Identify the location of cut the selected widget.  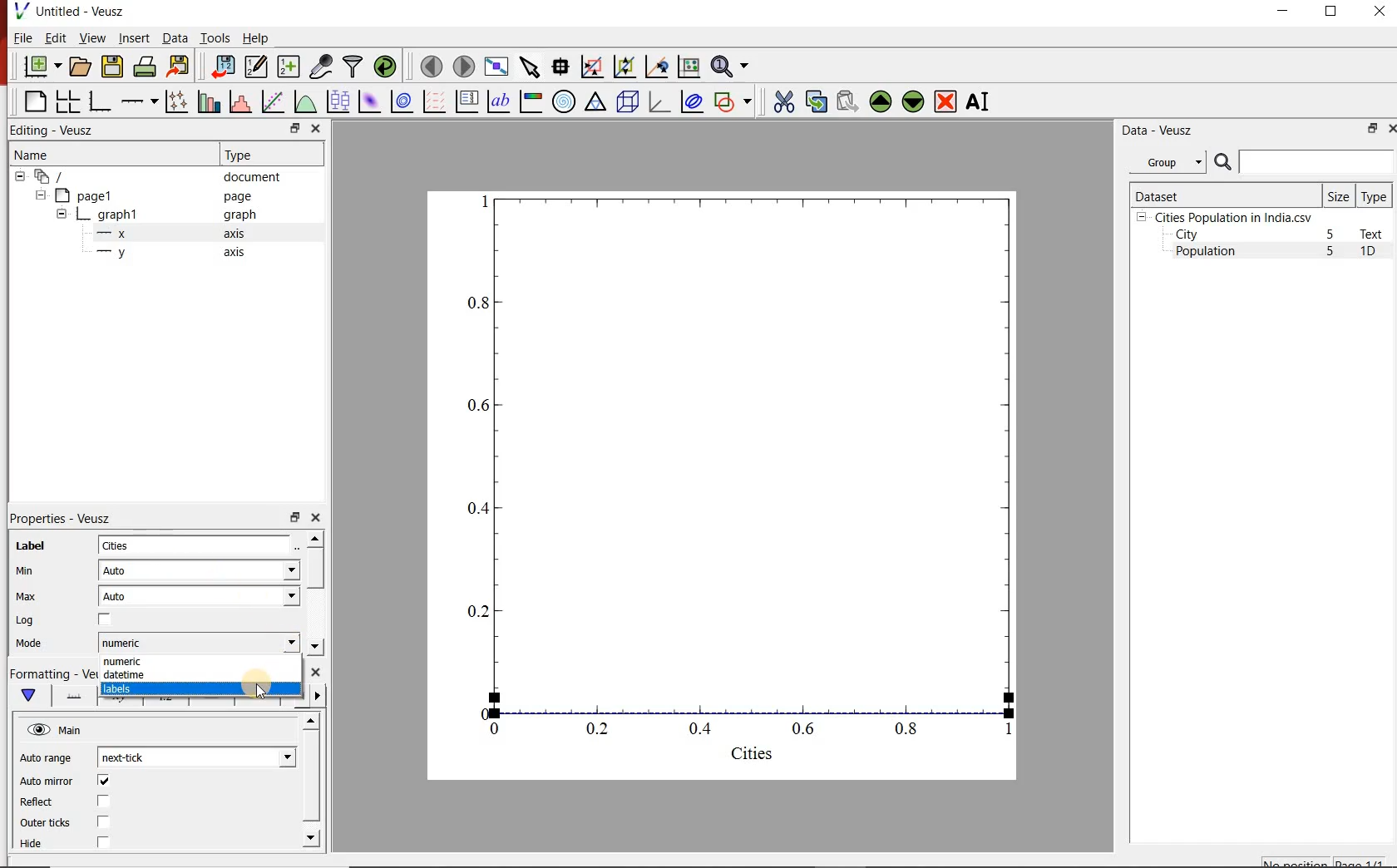
(781, 101).